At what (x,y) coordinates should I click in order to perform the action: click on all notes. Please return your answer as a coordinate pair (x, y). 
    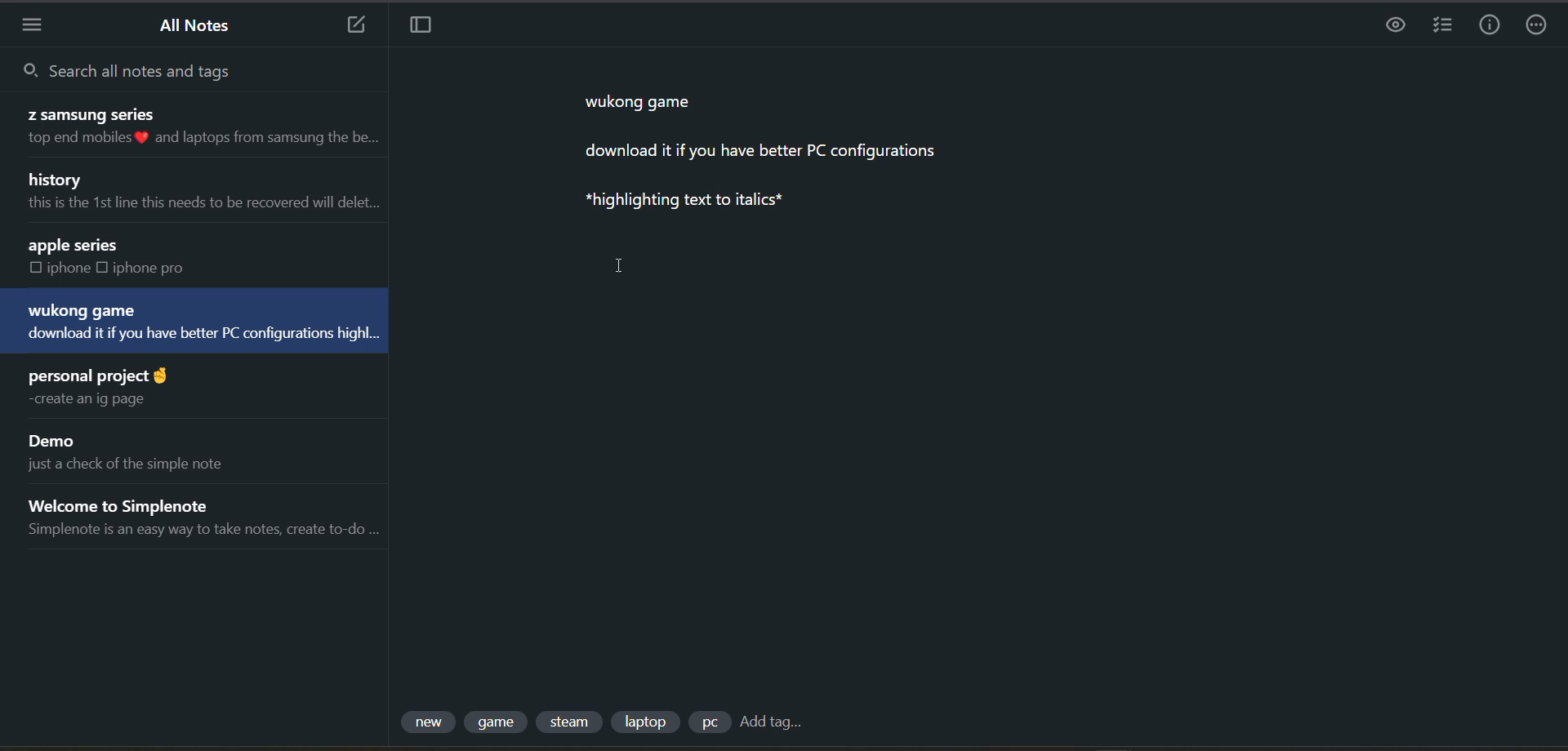
    Looking at the image, I should click on (203, 24).